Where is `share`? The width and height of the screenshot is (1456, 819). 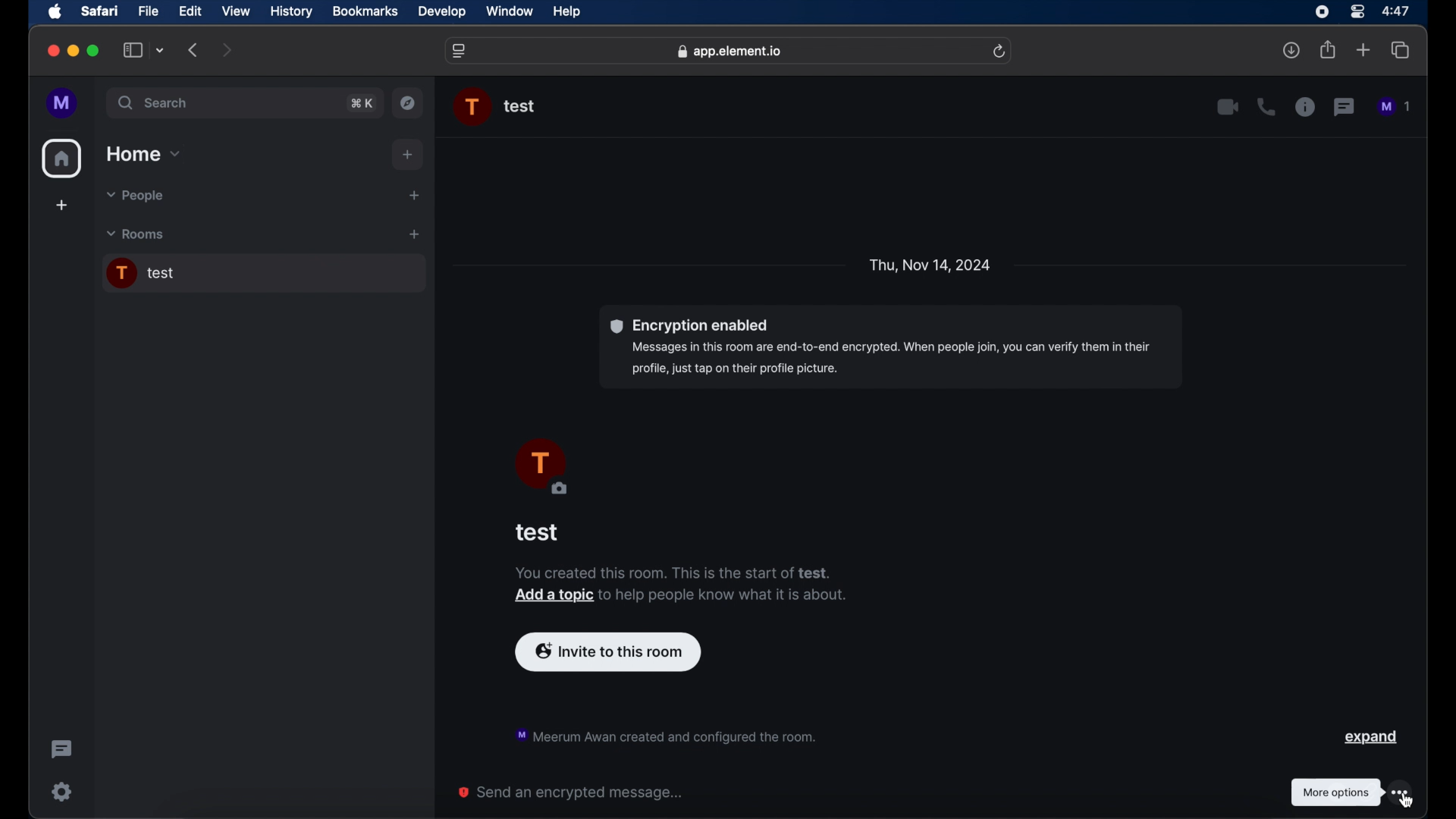
share is located at coordinates (1327, 50).